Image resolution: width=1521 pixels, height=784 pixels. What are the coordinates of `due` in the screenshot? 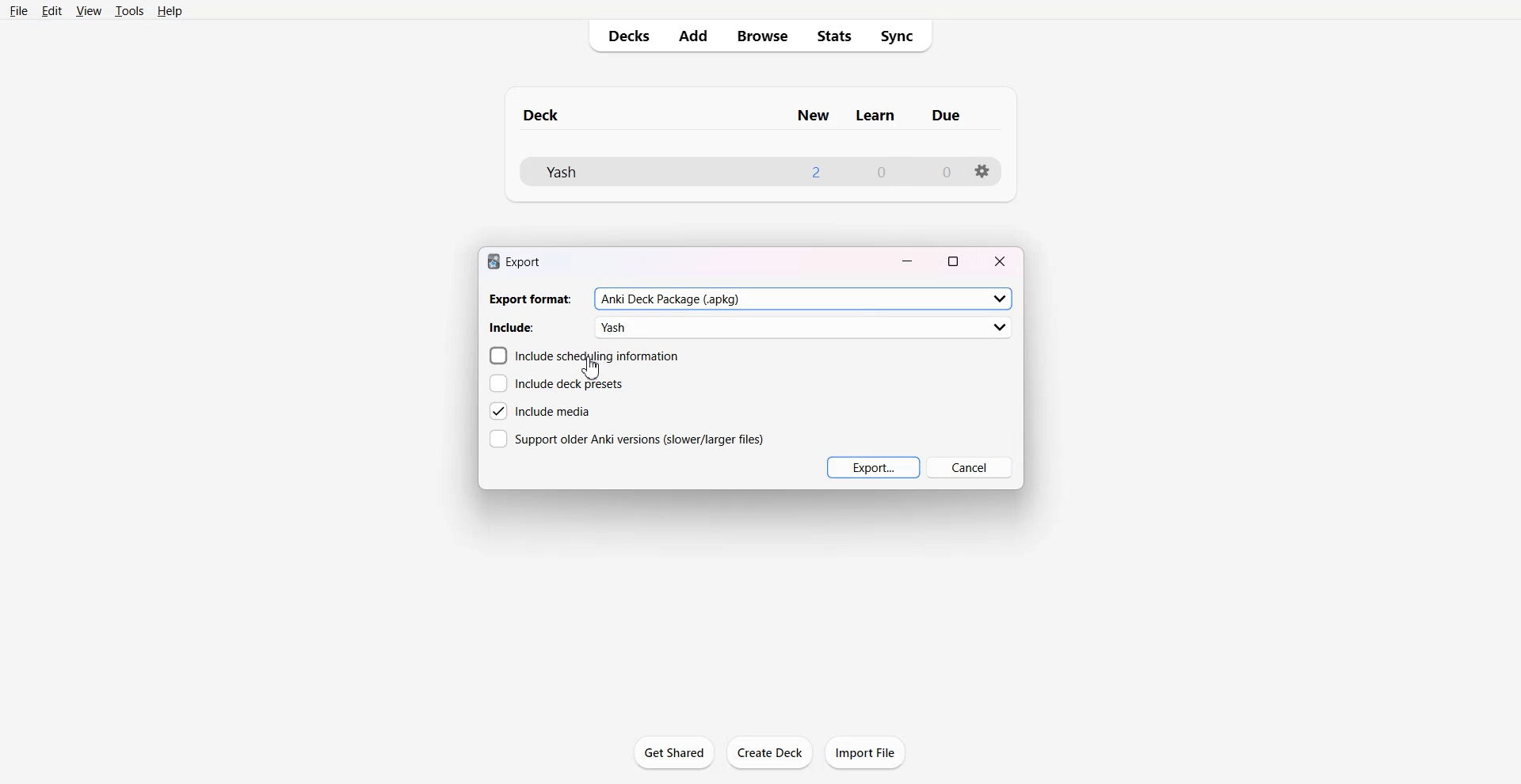 It's located at (947, 116).